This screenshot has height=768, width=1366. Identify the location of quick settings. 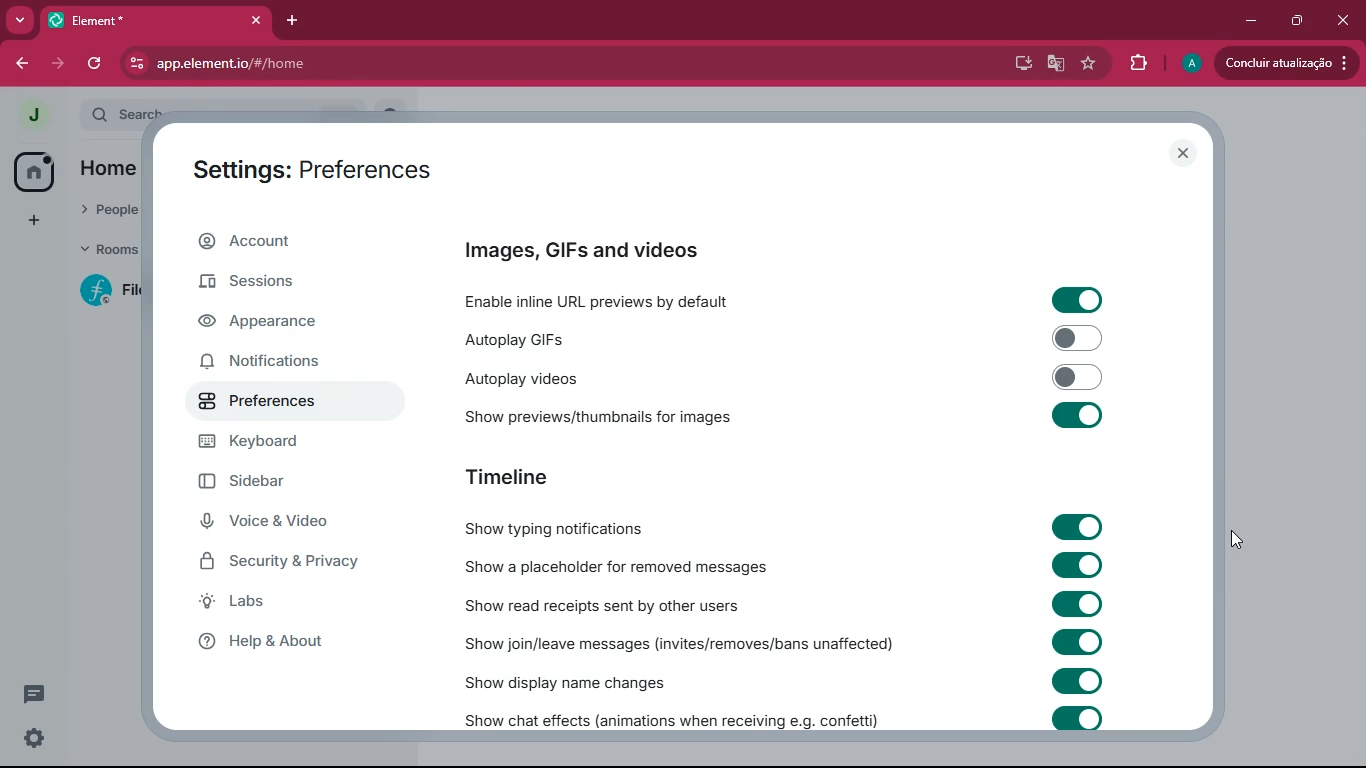
(34, 738).